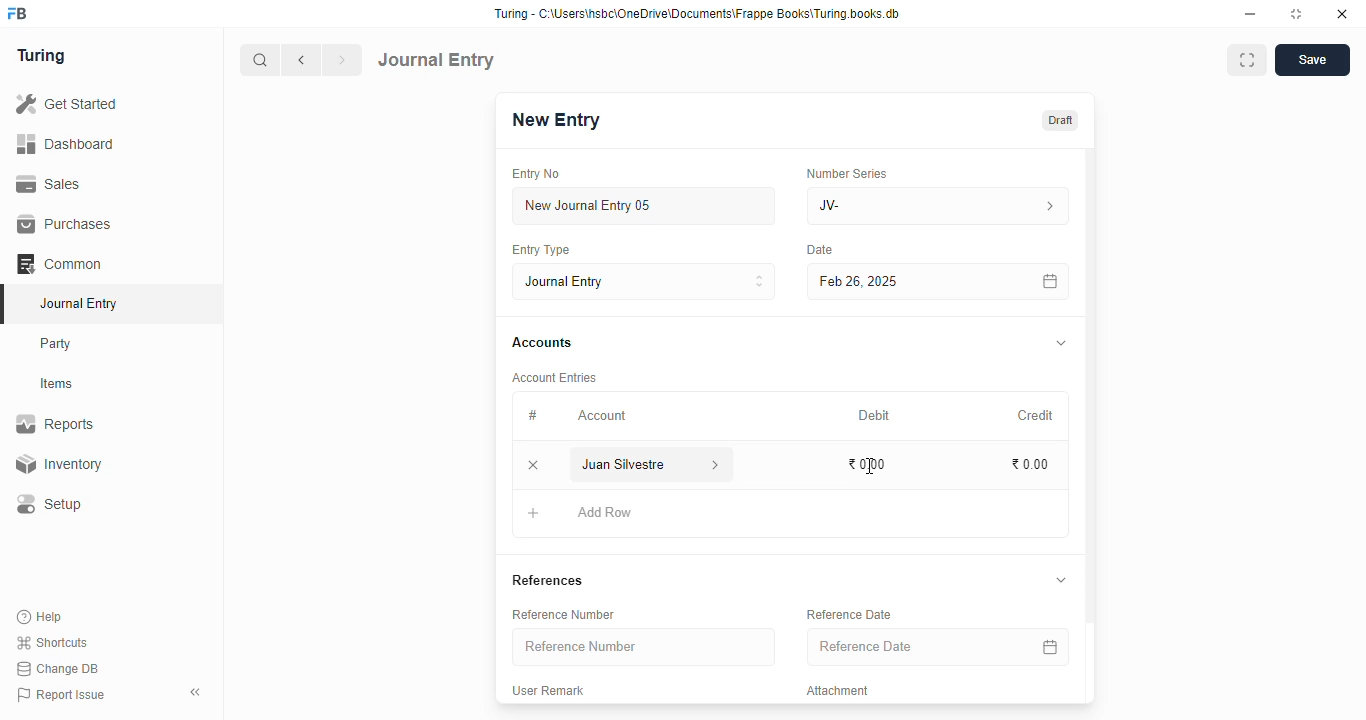 This screenshot has height=720, width=1366. Describe the element at coordinates (58, 344) in the screenshot. I see `party` at that location.